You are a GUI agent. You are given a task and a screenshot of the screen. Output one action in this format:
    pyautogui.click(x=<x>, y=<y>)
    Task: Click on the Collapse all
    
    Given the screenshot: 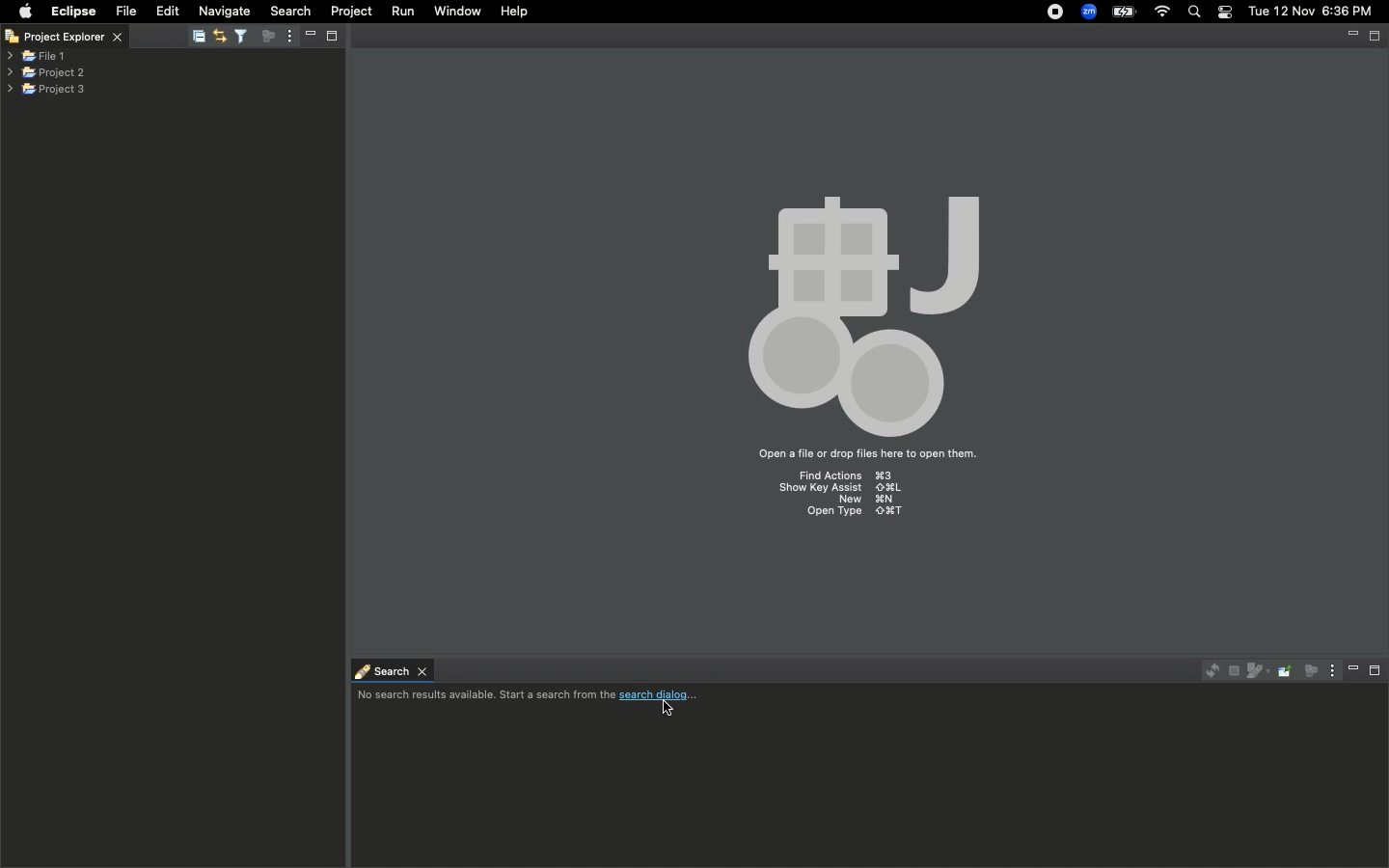 What is the action you would take?
    pyautogui.click(x=199, y=38)
    